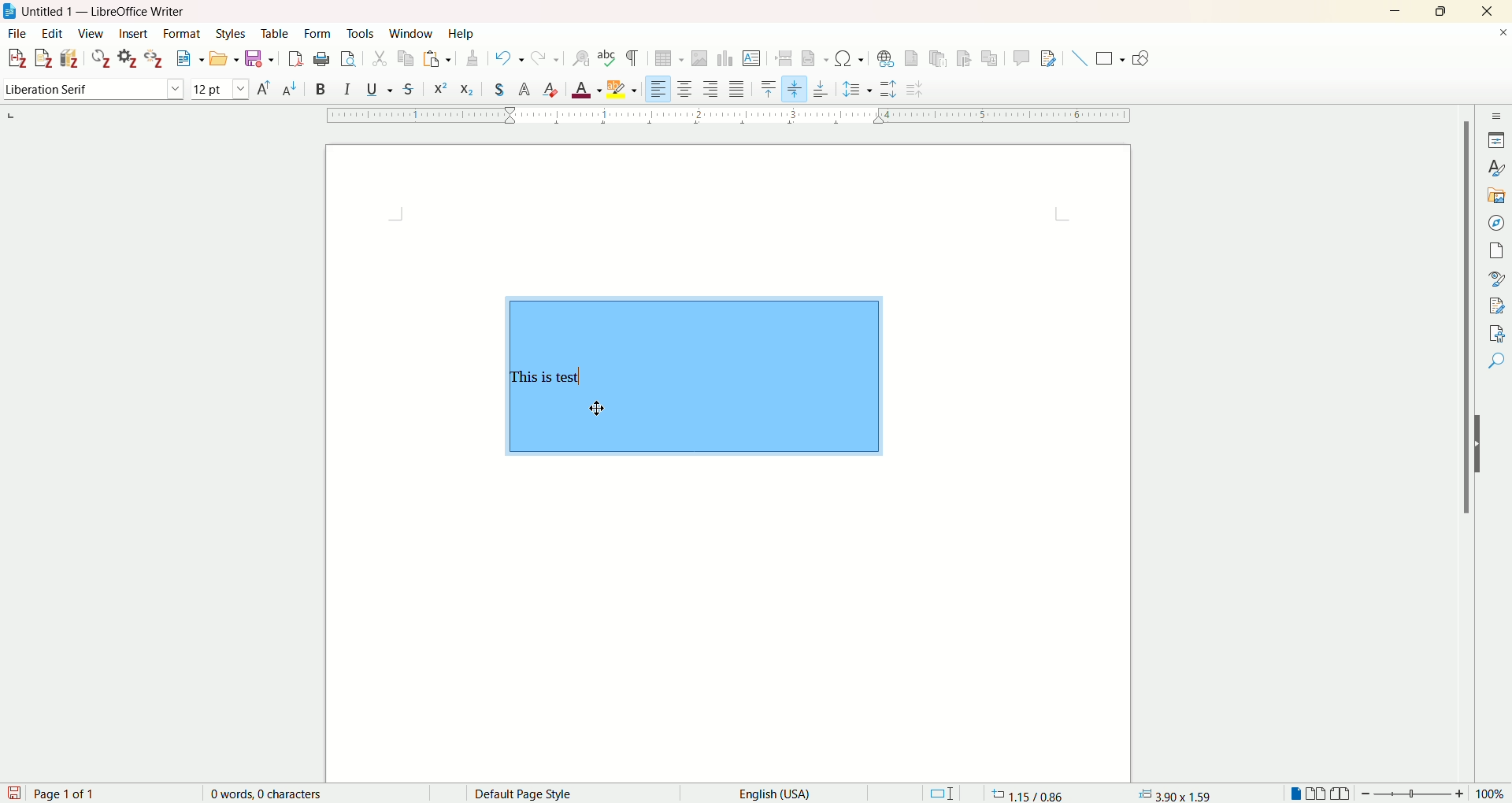 Image resolution: width=1512 pixels, height=803 pixels. I want to click on sidebar settings, so click(1494, 117).